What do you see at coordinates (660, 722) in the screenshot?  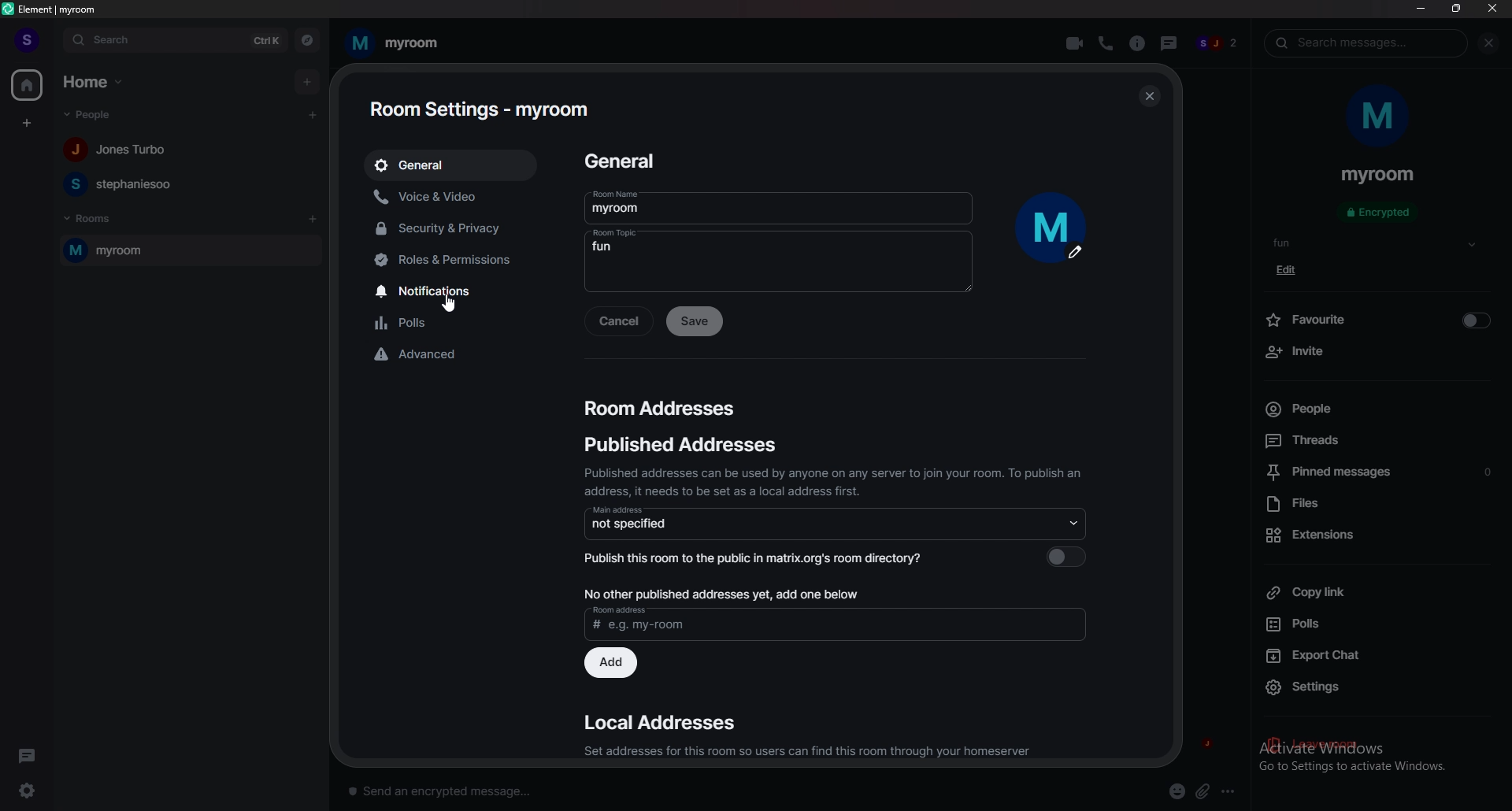 I see `local addresses` at bounding box center [660, 722].